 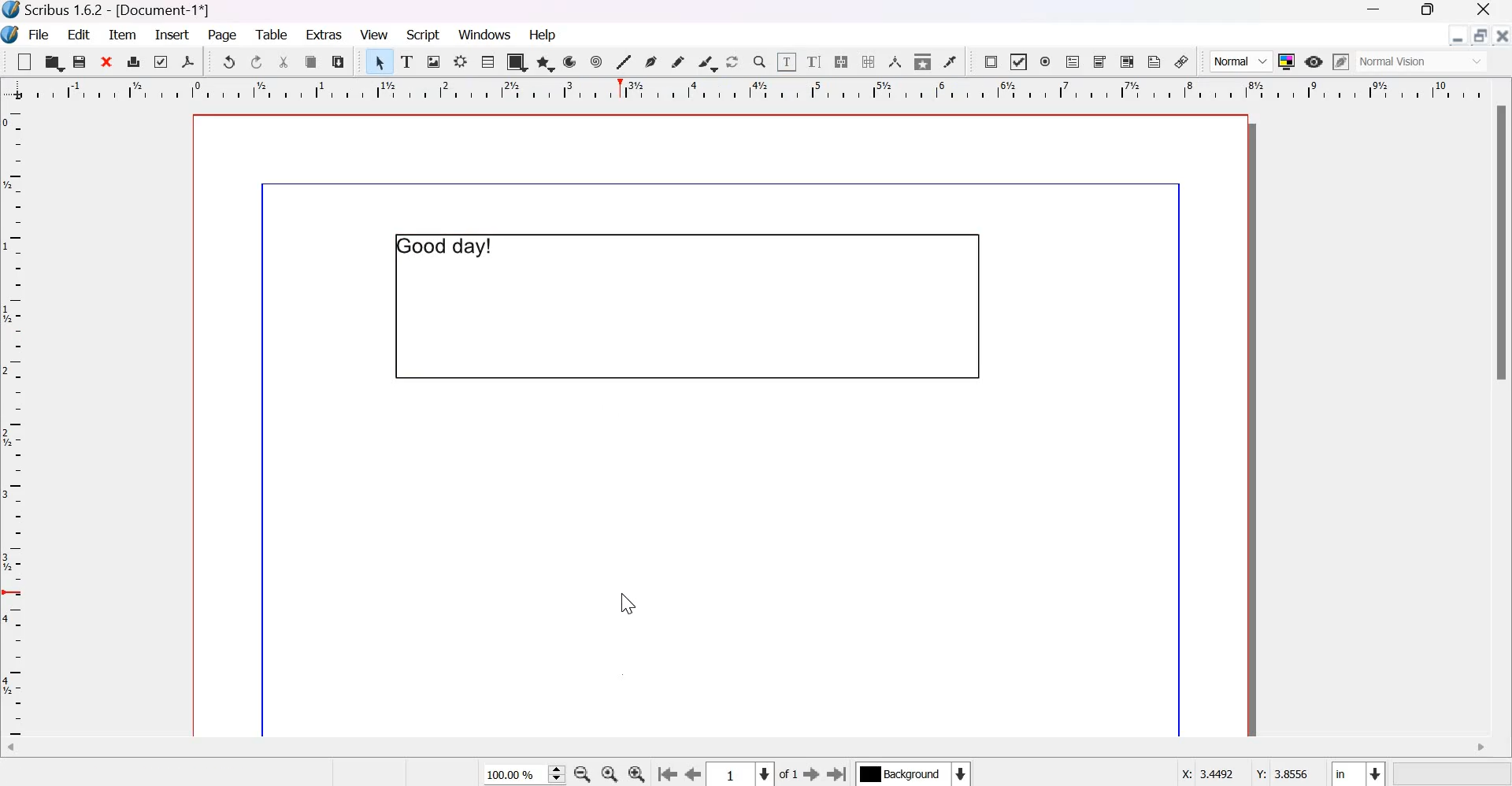 I want to click on Freehand line, so click(x=677, y=62).